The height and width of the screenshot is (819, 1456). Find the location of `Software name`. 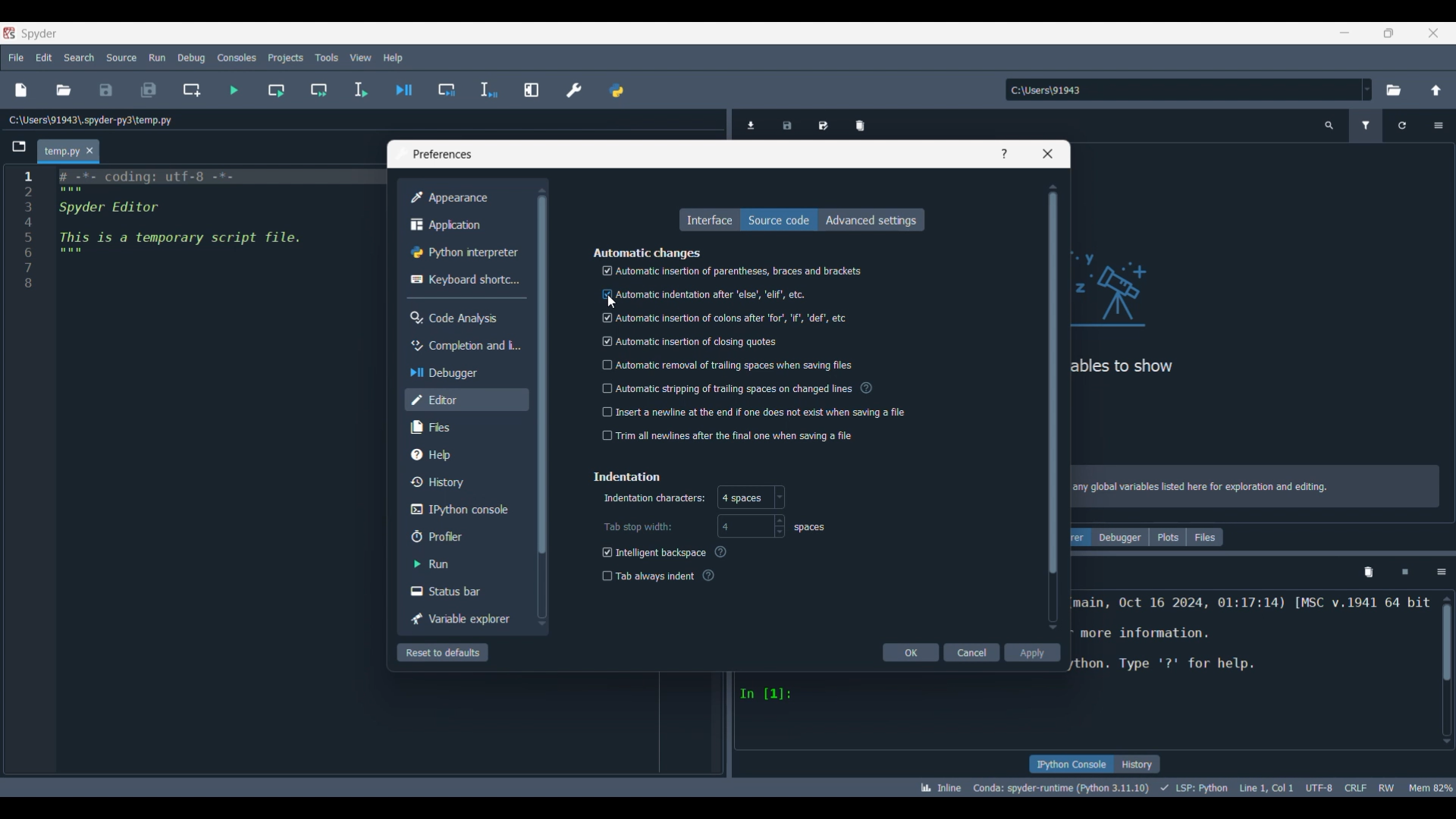

Software name is located at coordinates (39, 34).